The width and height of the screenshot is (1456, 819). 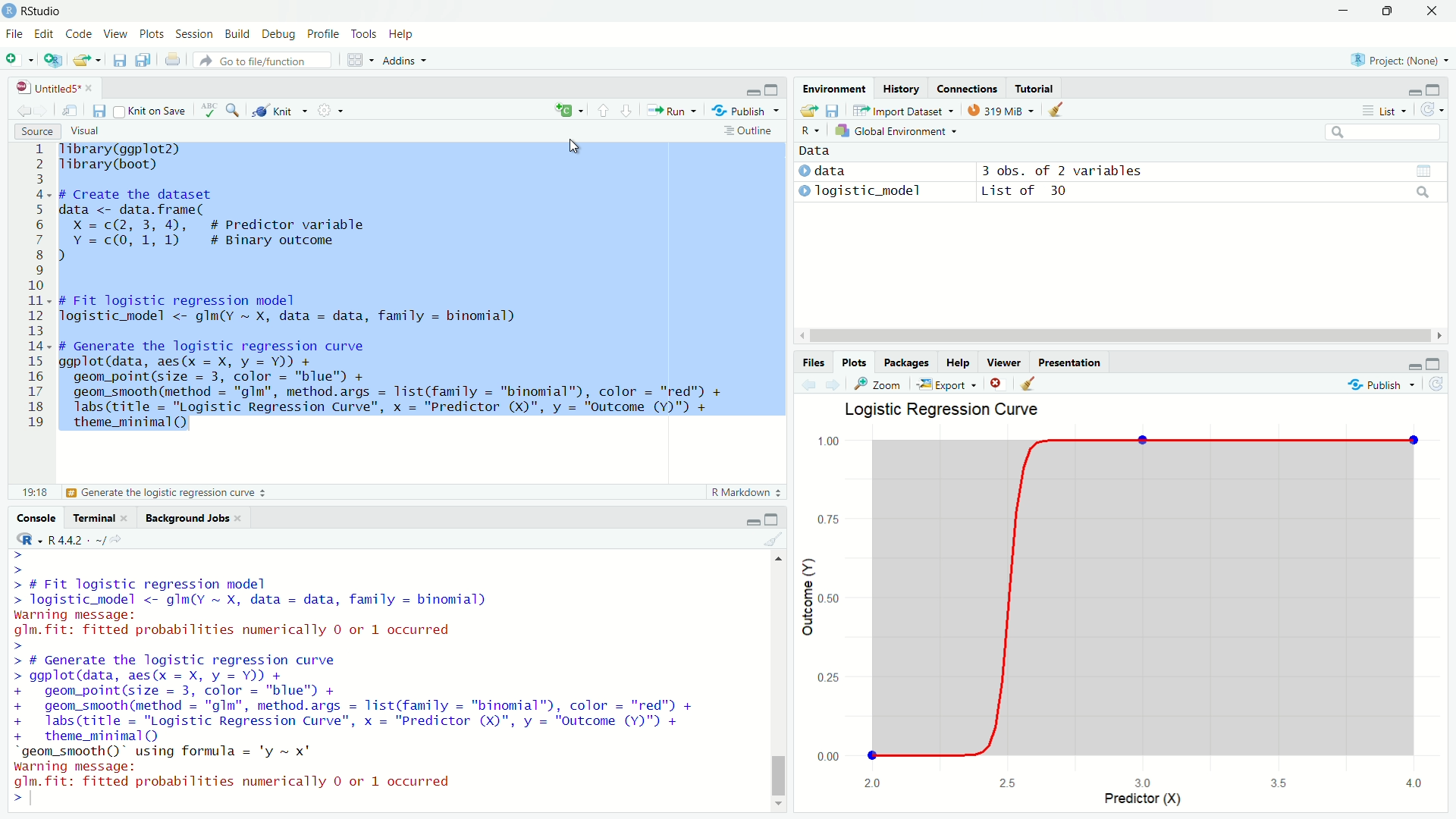 I want to click on Plots, so click(x=151, y=33).